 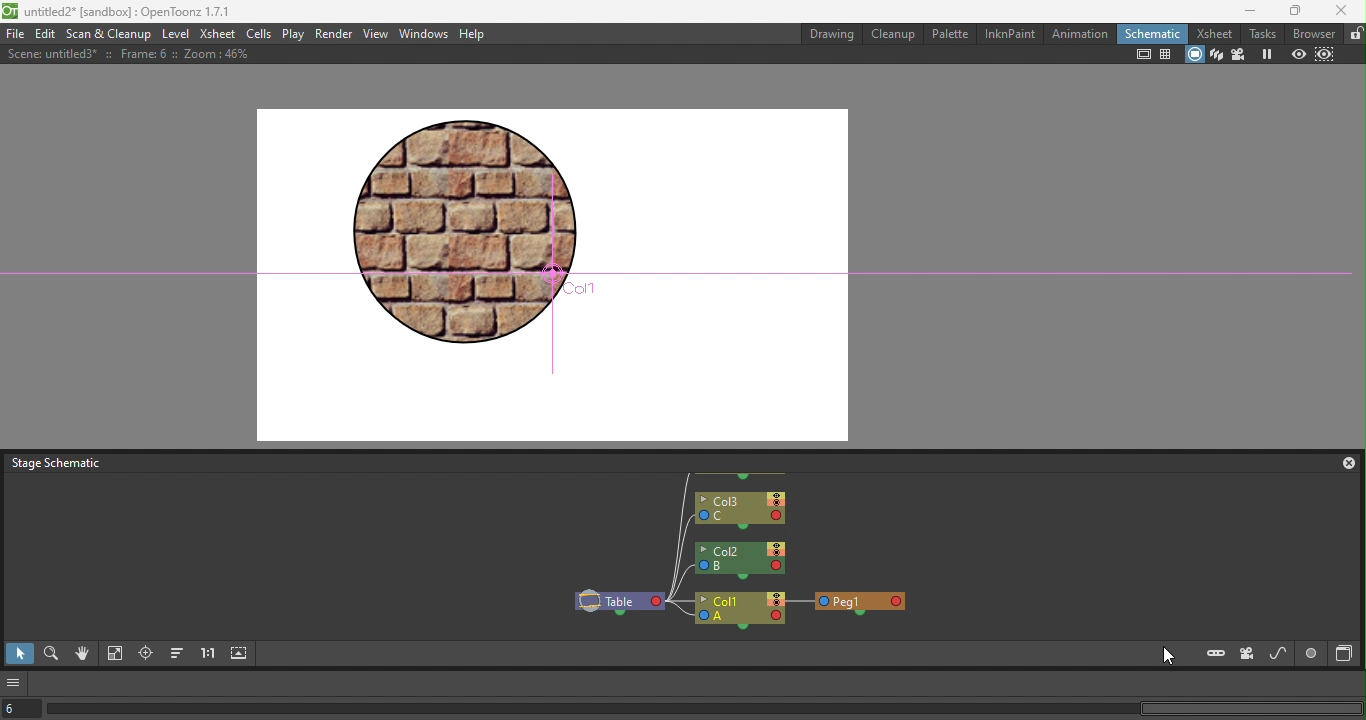 I want to click on Peg1, so click(x=861, y=603).